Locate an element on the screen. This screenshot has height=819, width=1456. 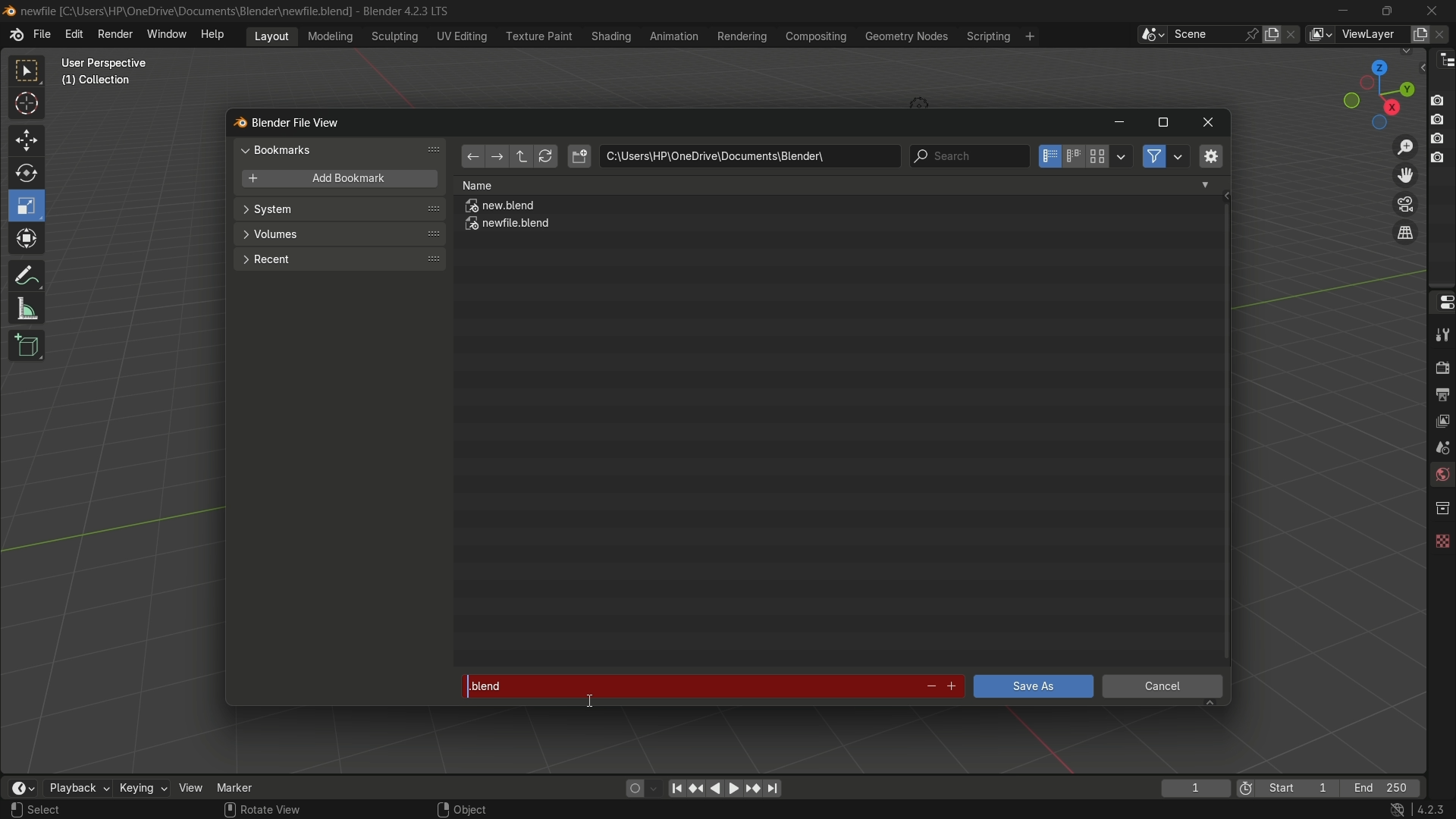
world is located at coordinates (1441, 476).